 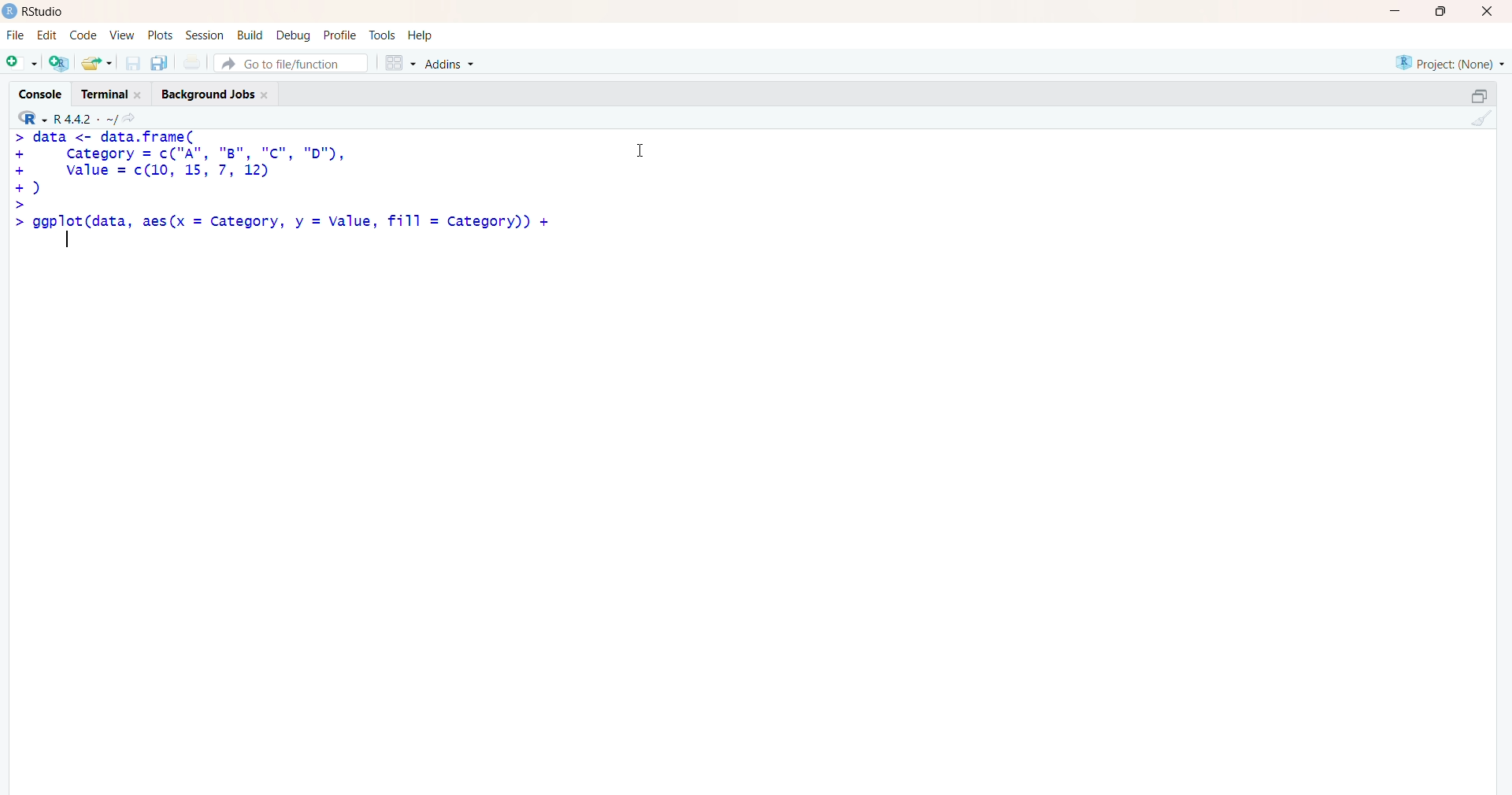 I want to click on maximize, so click(x=1446, y=11).